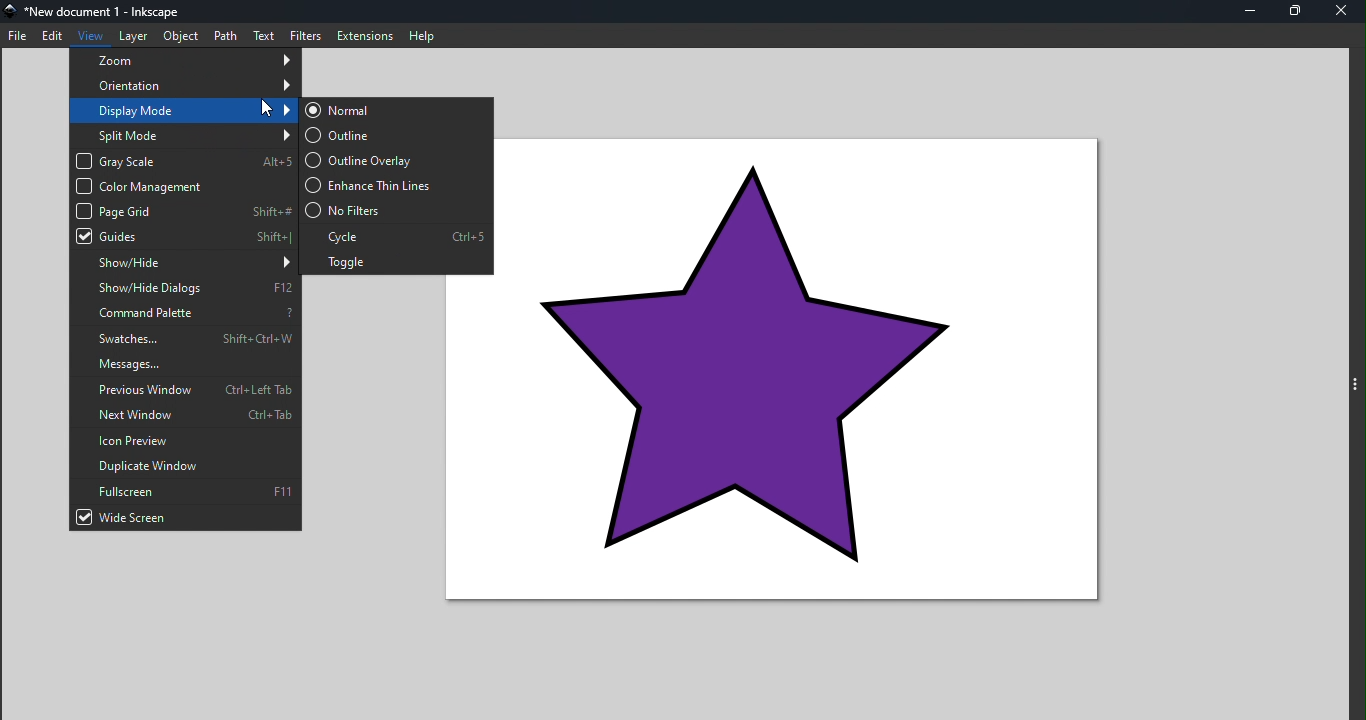 Image resolution: width=1366 pixels, height=720 pixels. I want to click on Extensions, so click(363, 36).